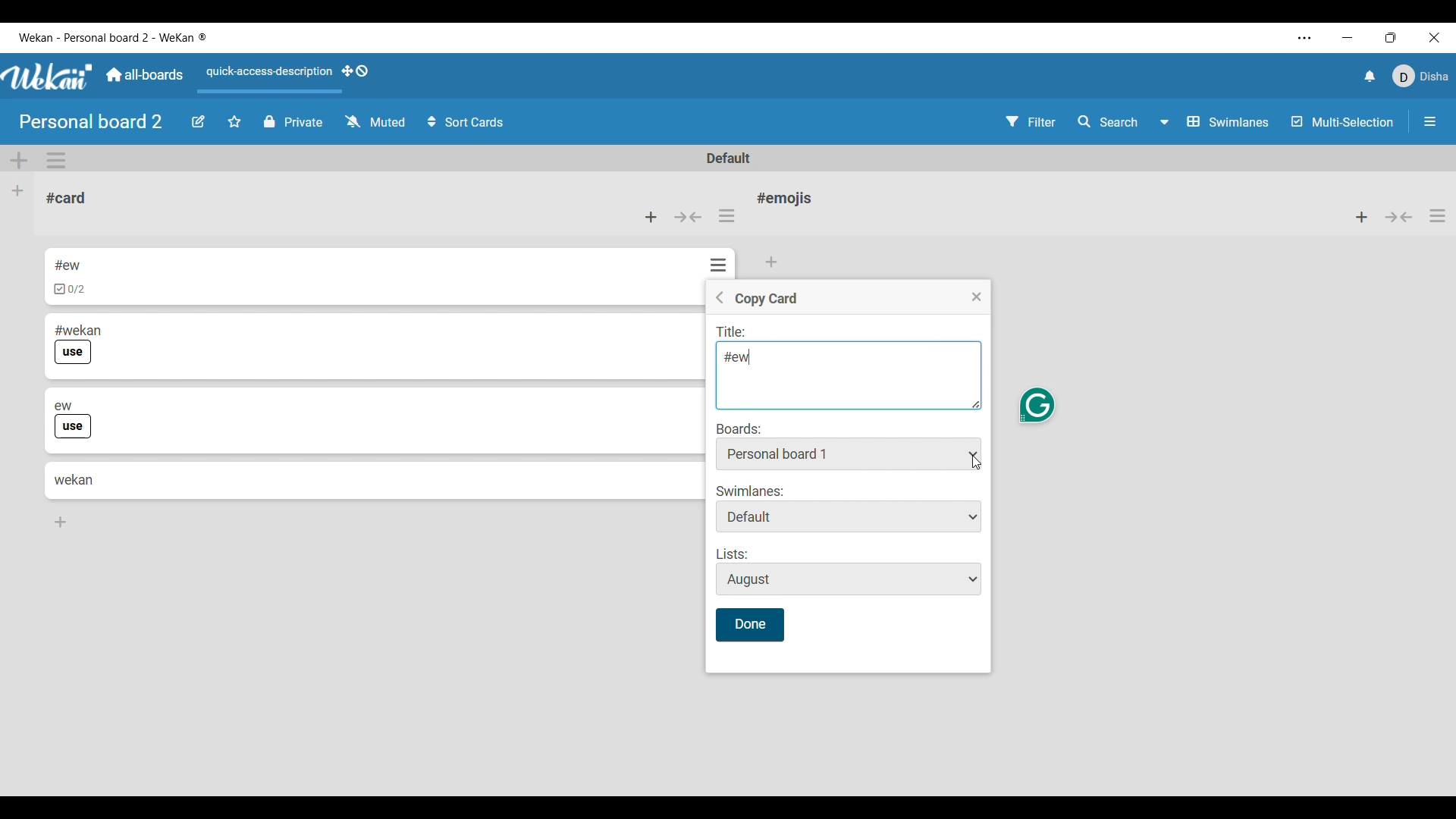  What do you see at coordinates (61, 522) in the screenshot?
I see `Add card to bottom of list` at bounding box center [61, 522].